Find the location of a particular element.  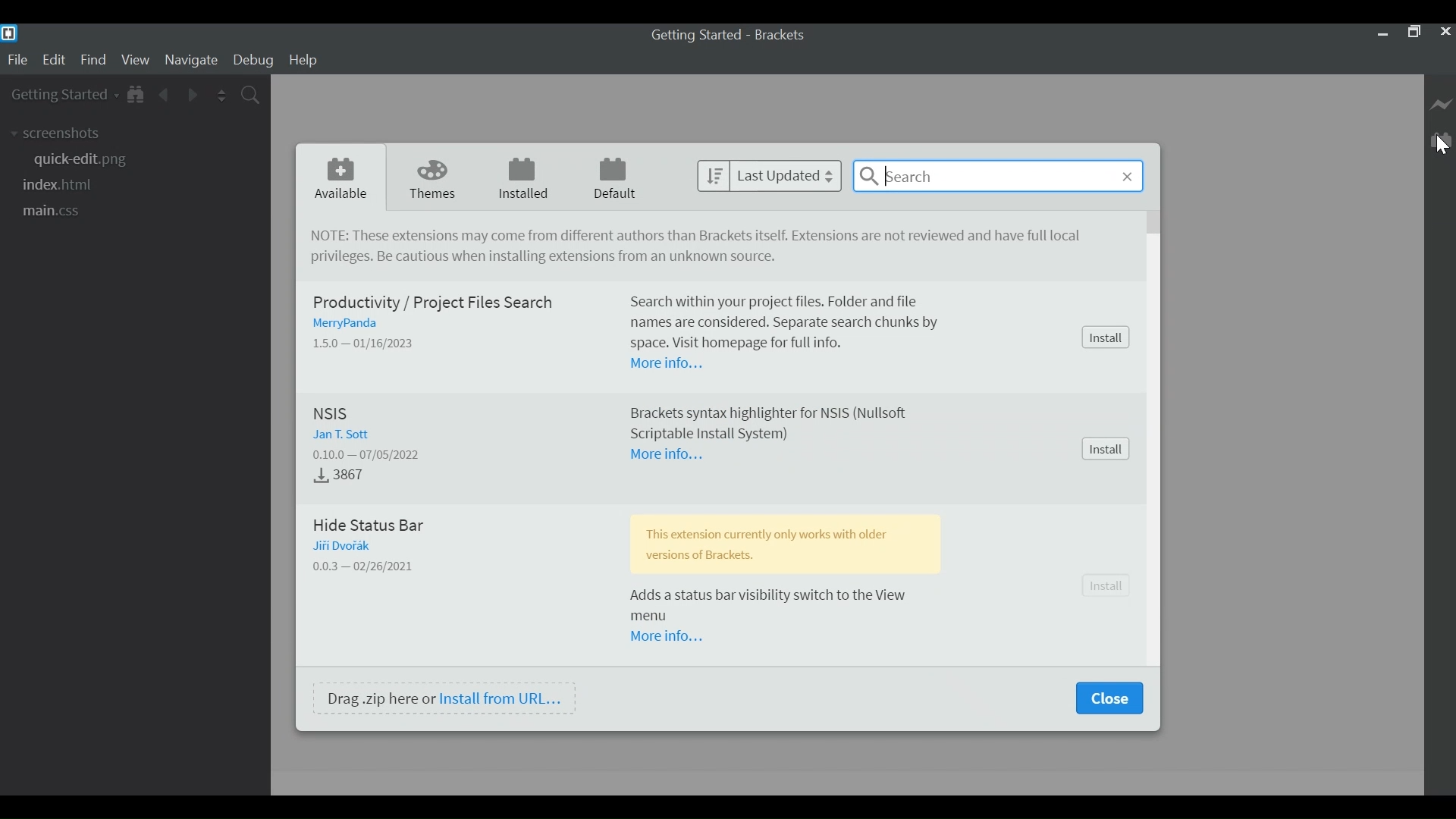

Author is located at coordinates (345, 435).